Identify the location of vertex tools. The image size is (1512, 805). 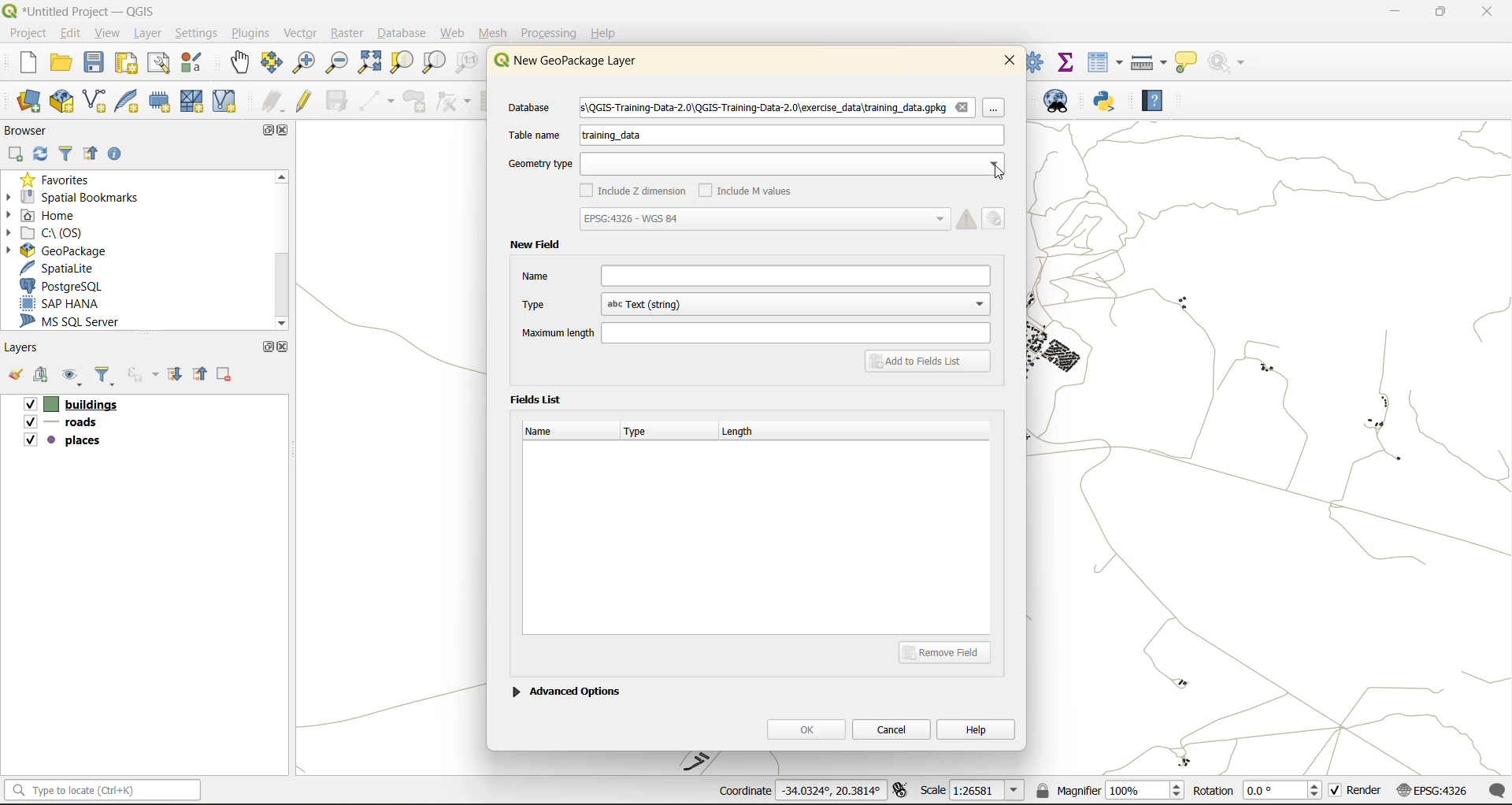
(454, 102).